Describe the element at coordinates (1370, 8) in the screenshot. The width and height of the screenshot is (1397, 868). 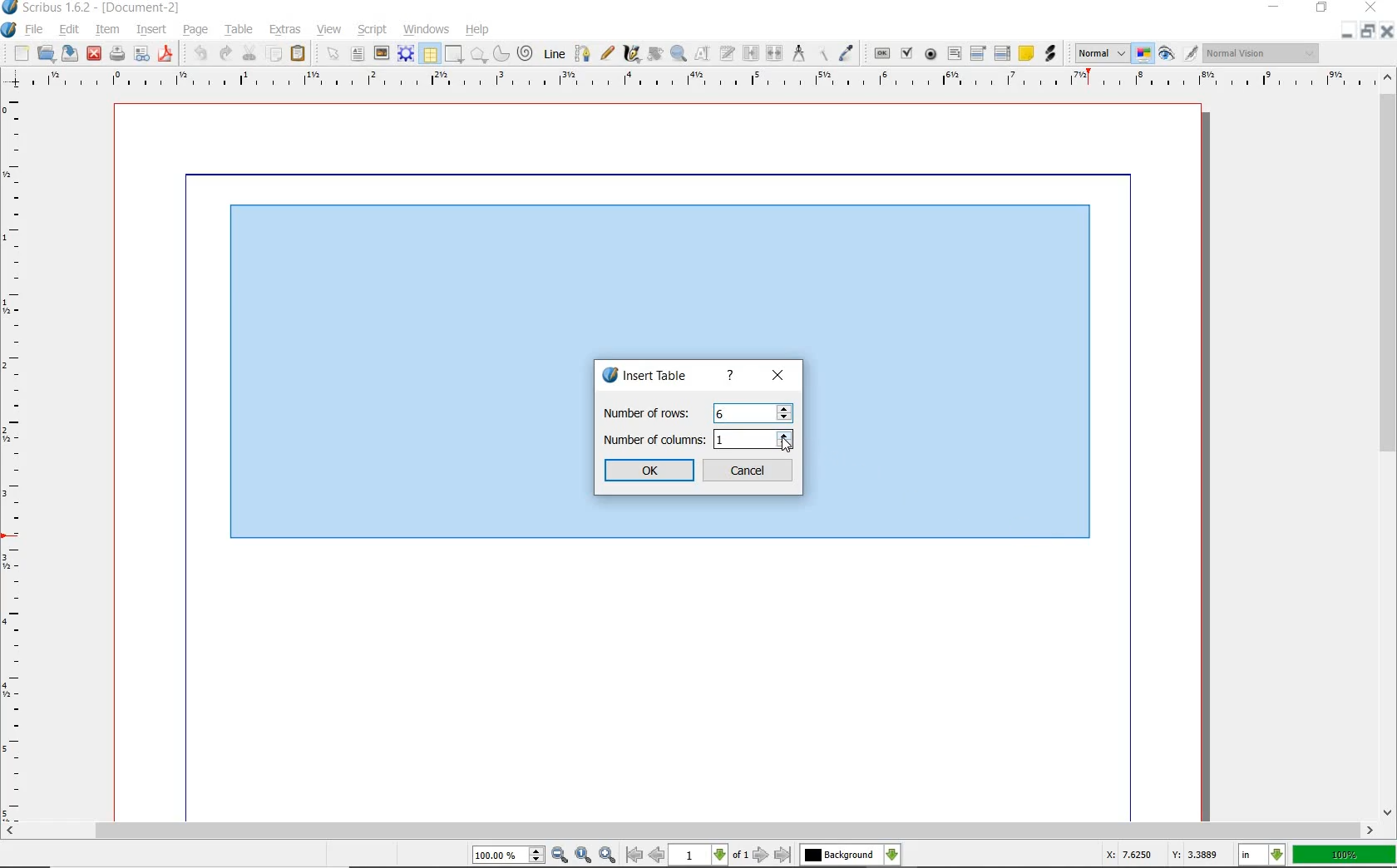
I see `close` at that location.